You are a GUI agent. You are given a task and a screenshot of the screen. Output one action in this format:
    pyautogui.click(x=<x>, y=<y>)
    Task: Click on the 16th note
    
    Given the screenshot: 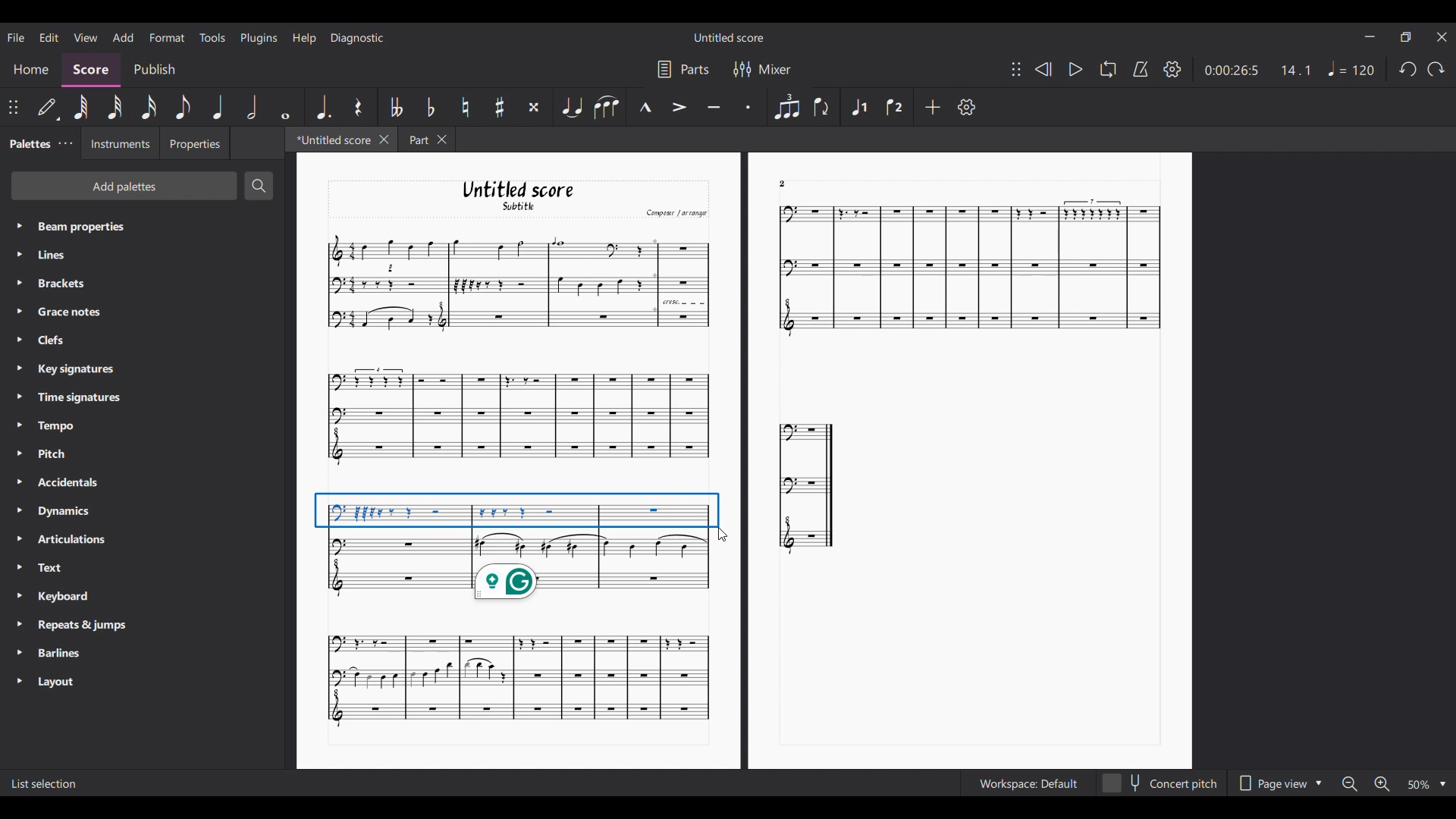 What is the action you would take?
    pyautogui.click(x=149, y=107)
    